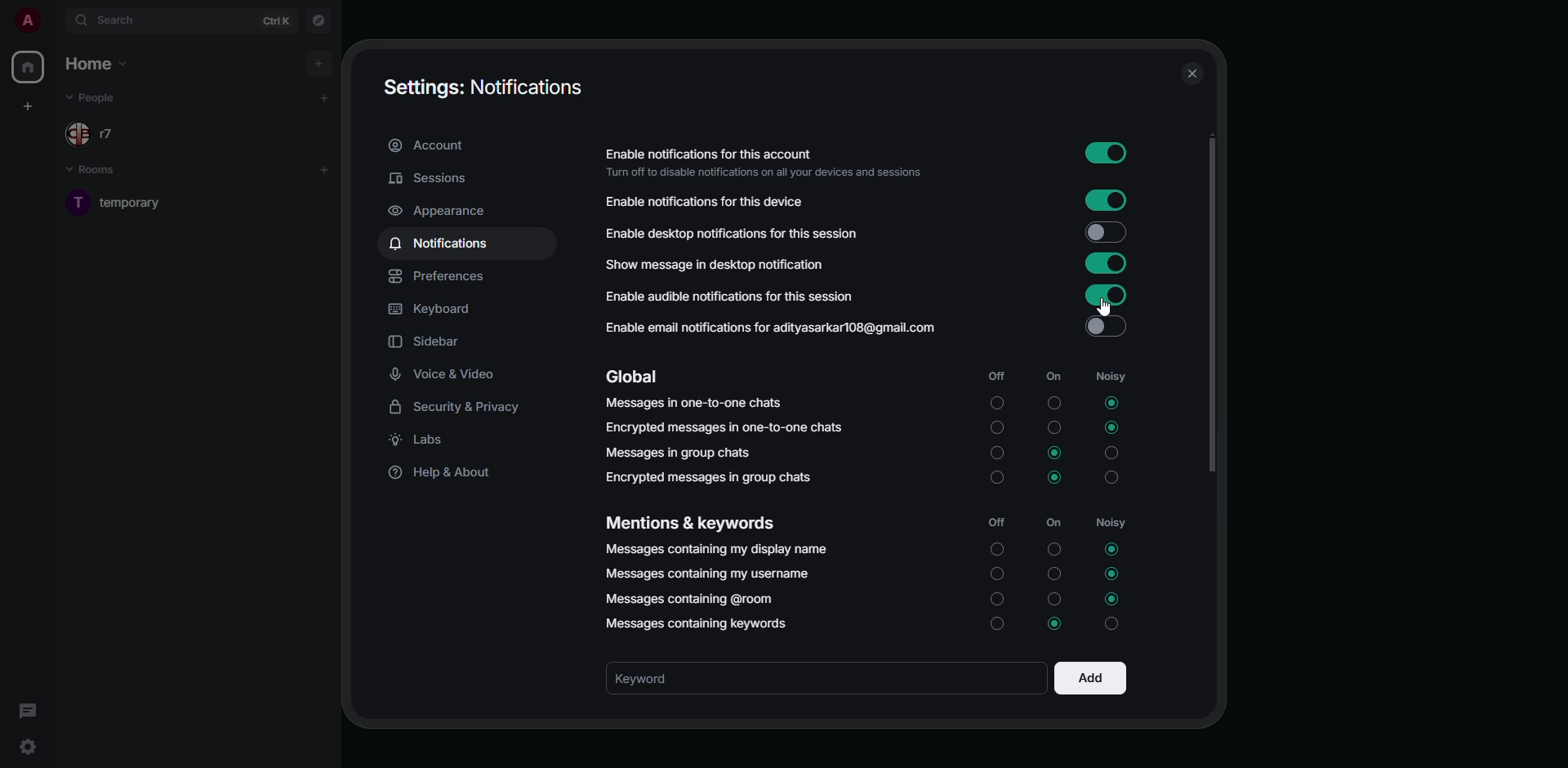 The image size is (1568, 768). Describe the element at coordinates (1111, 453) in the screenshot. I see `noisy` at that location.